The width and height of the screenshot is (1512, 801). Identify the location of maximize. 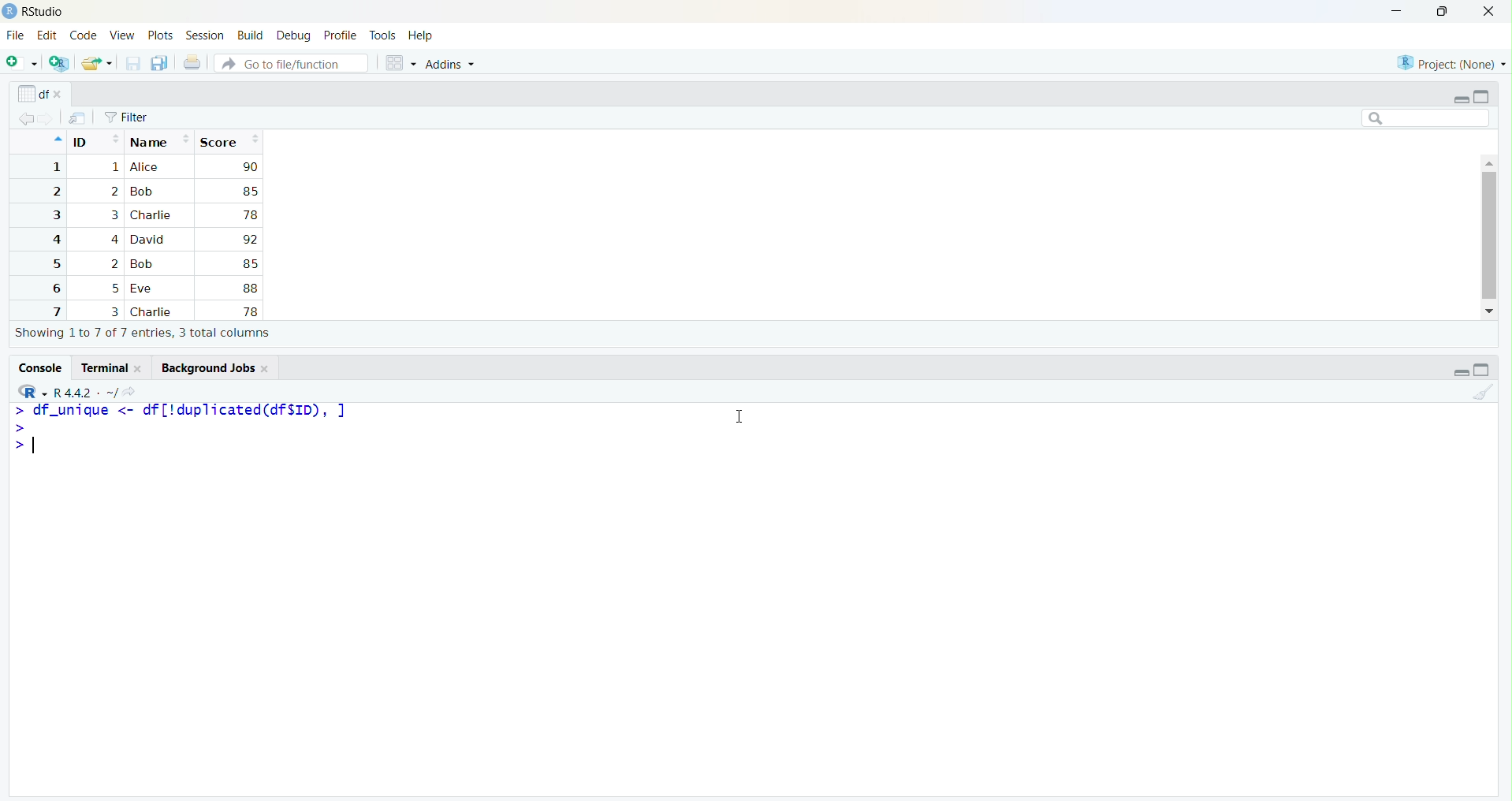
(1482, 96).